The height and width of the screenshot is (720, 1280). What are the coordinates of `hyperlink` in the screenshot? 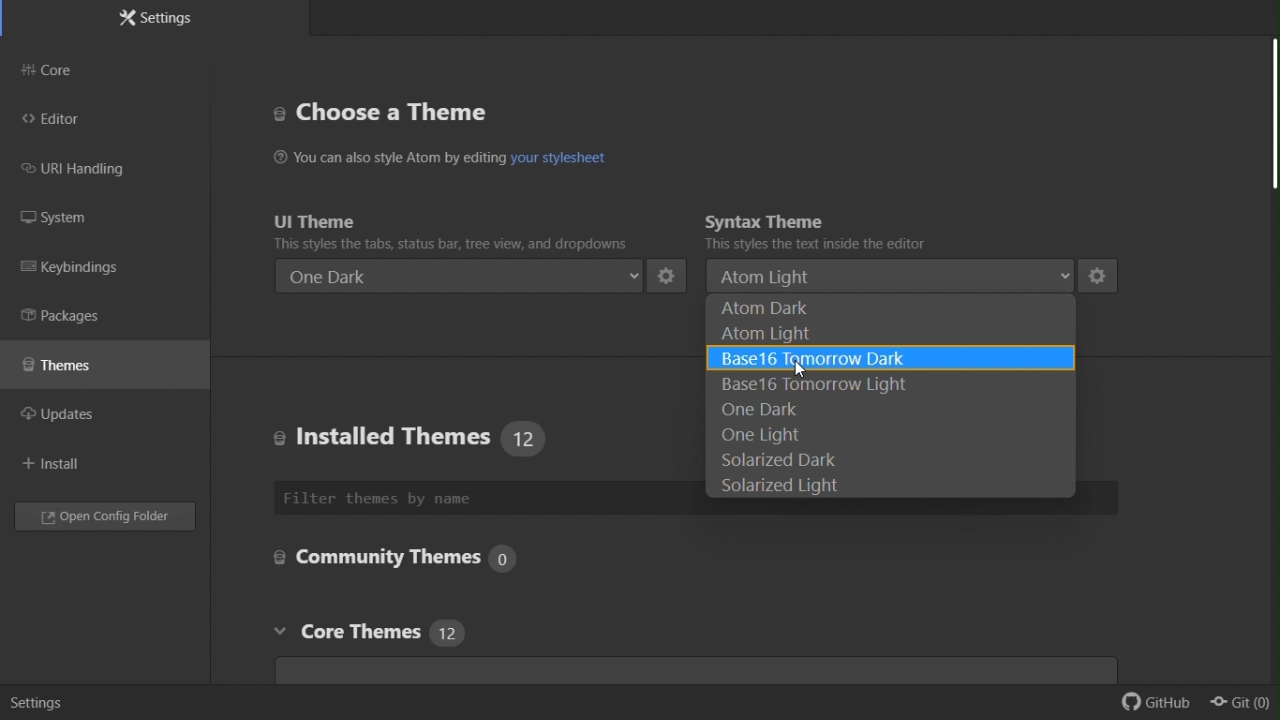 It's located at (559, 160).